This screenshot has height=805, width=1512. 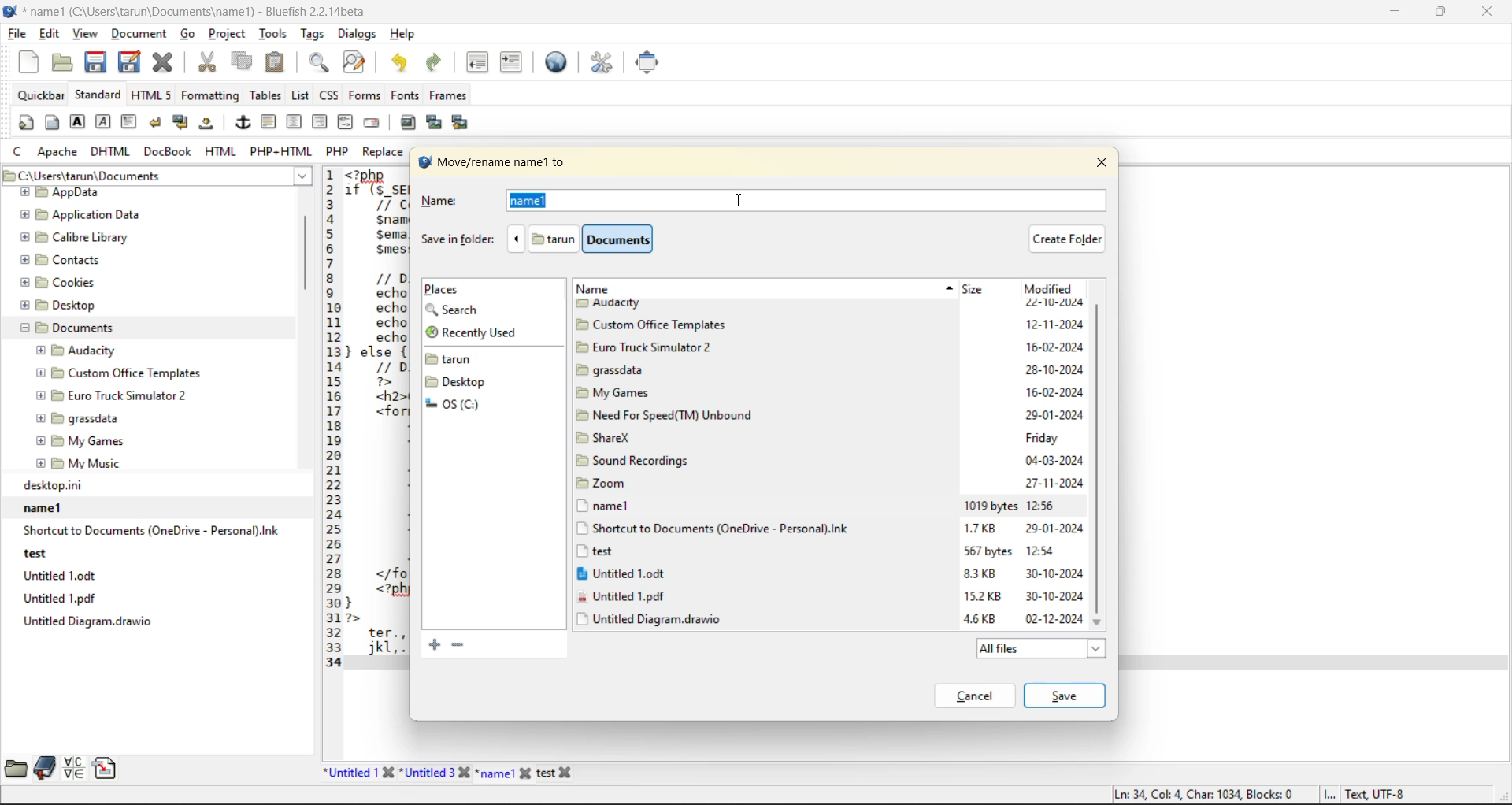 I want to click on anchor, so click(x=243, y=124).